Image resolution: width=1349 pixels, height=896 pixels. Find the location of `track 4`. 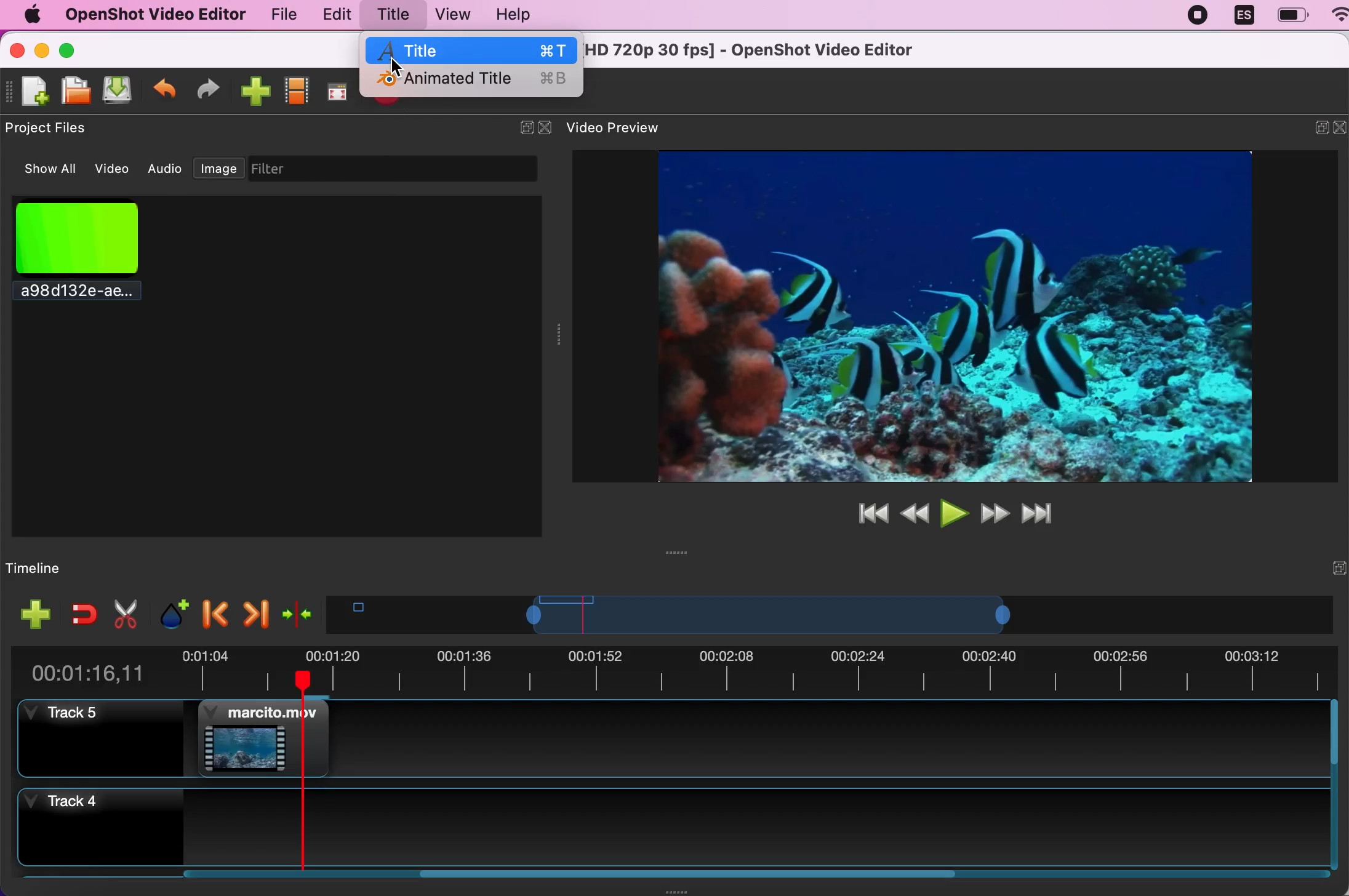

track 4 is located at coordinates (672, 827).